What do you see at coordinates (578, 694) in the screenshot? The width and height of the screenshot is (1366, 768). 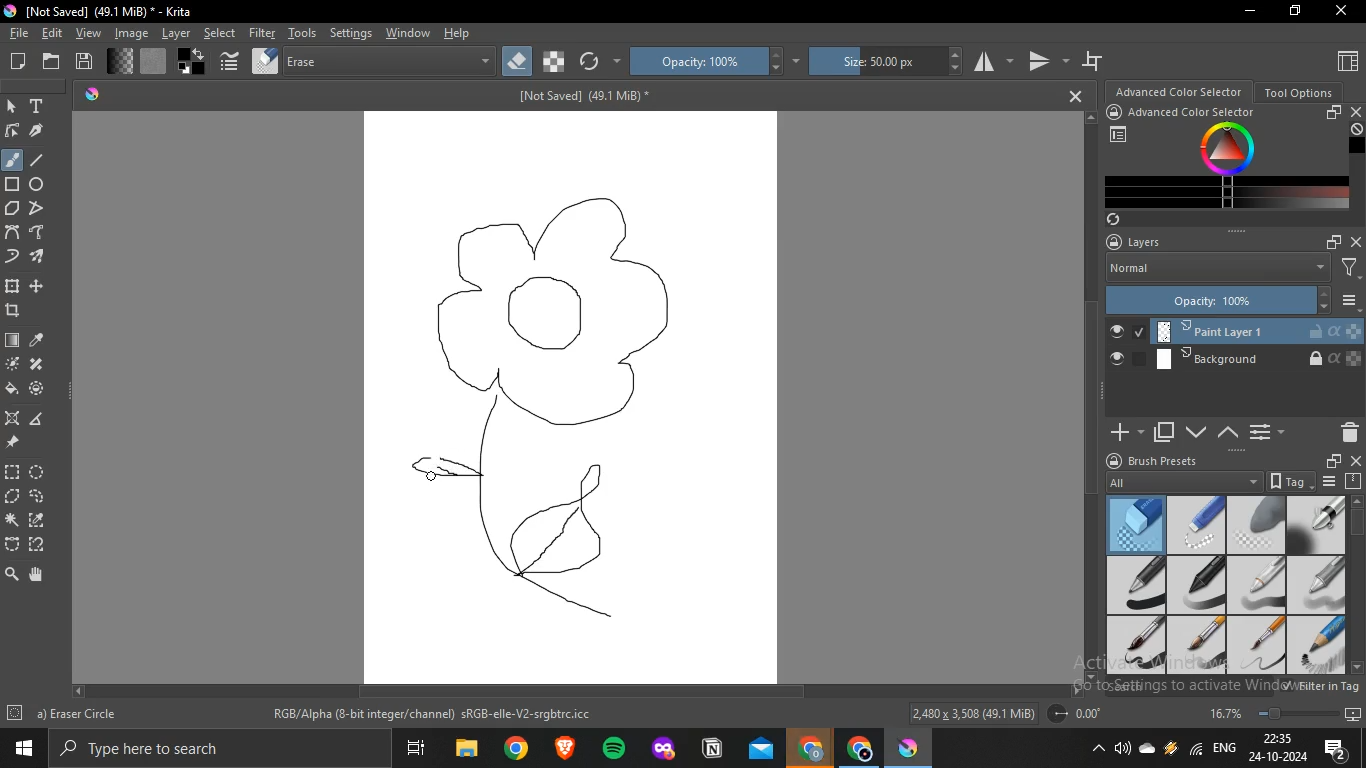 I see `Scrollbar` at bounding box center [578, 694].